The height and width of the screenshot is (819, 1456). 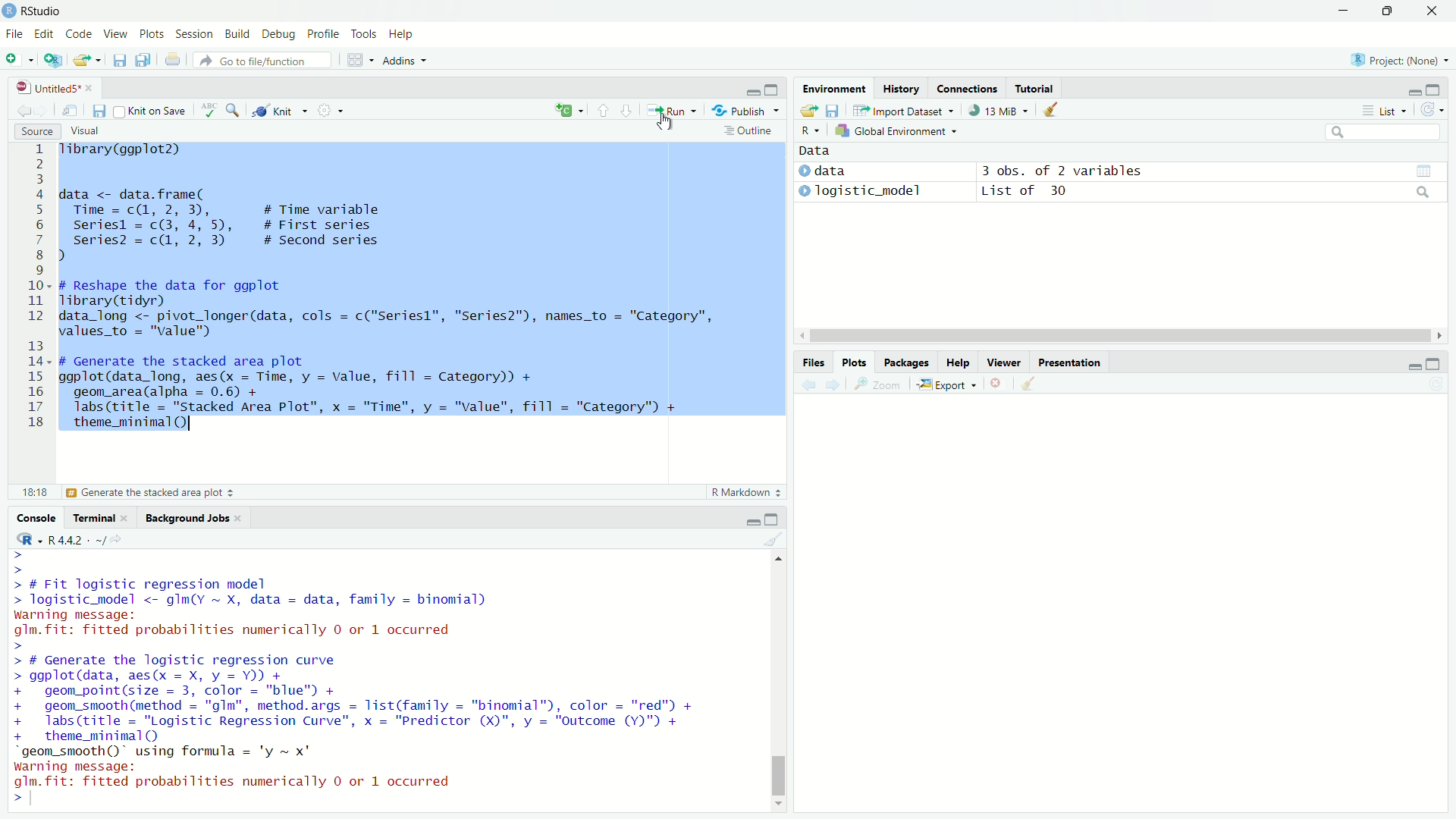 I want to click on back, so click(x=25, y=108).